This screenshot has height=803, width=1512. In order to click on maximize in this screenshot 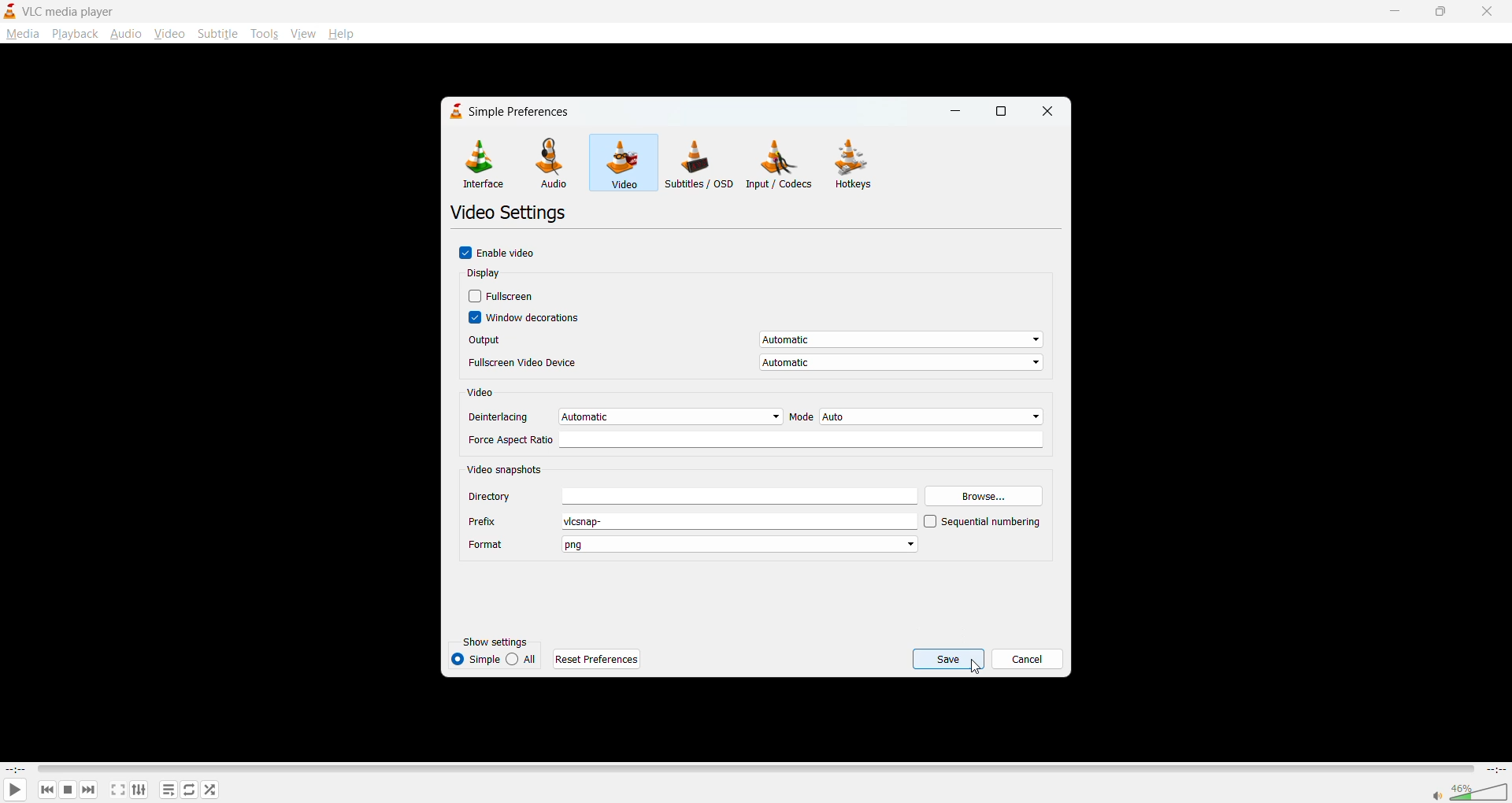, I will do `click(1006, 112)`.